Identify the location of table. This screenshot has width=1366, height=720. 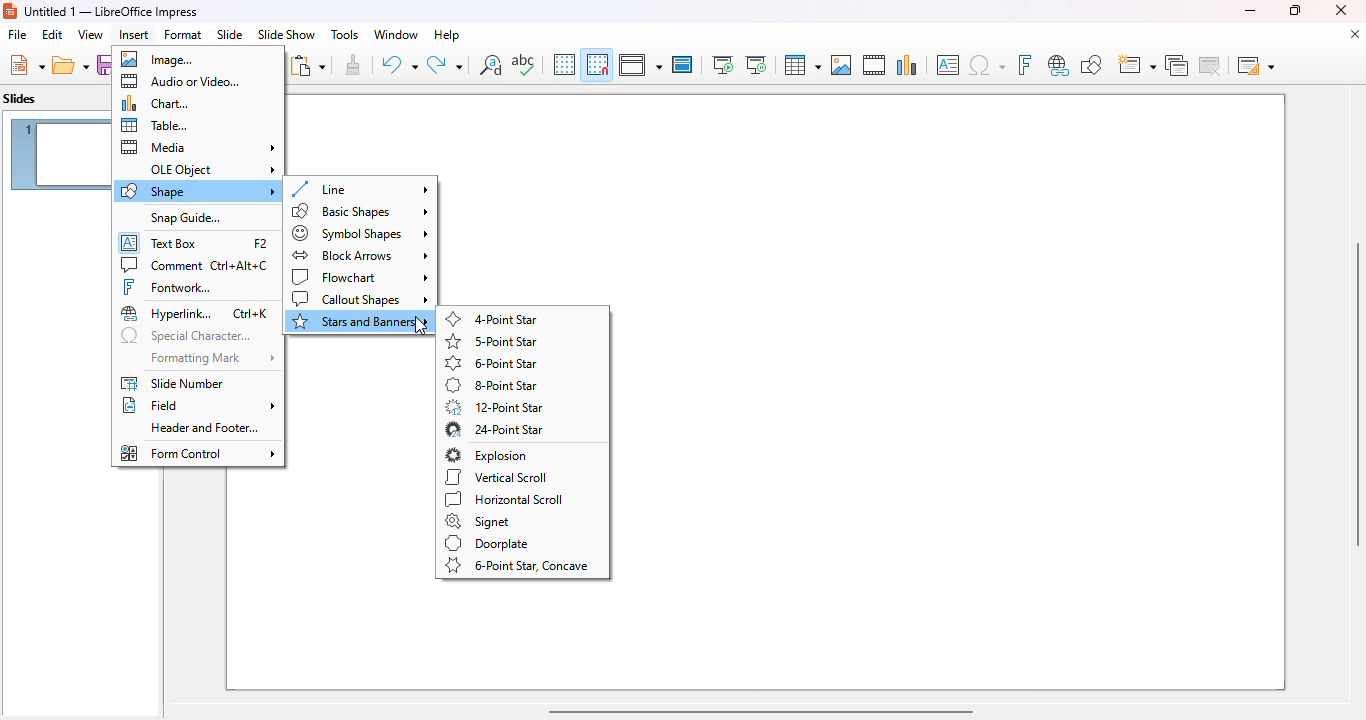
(801, 65).